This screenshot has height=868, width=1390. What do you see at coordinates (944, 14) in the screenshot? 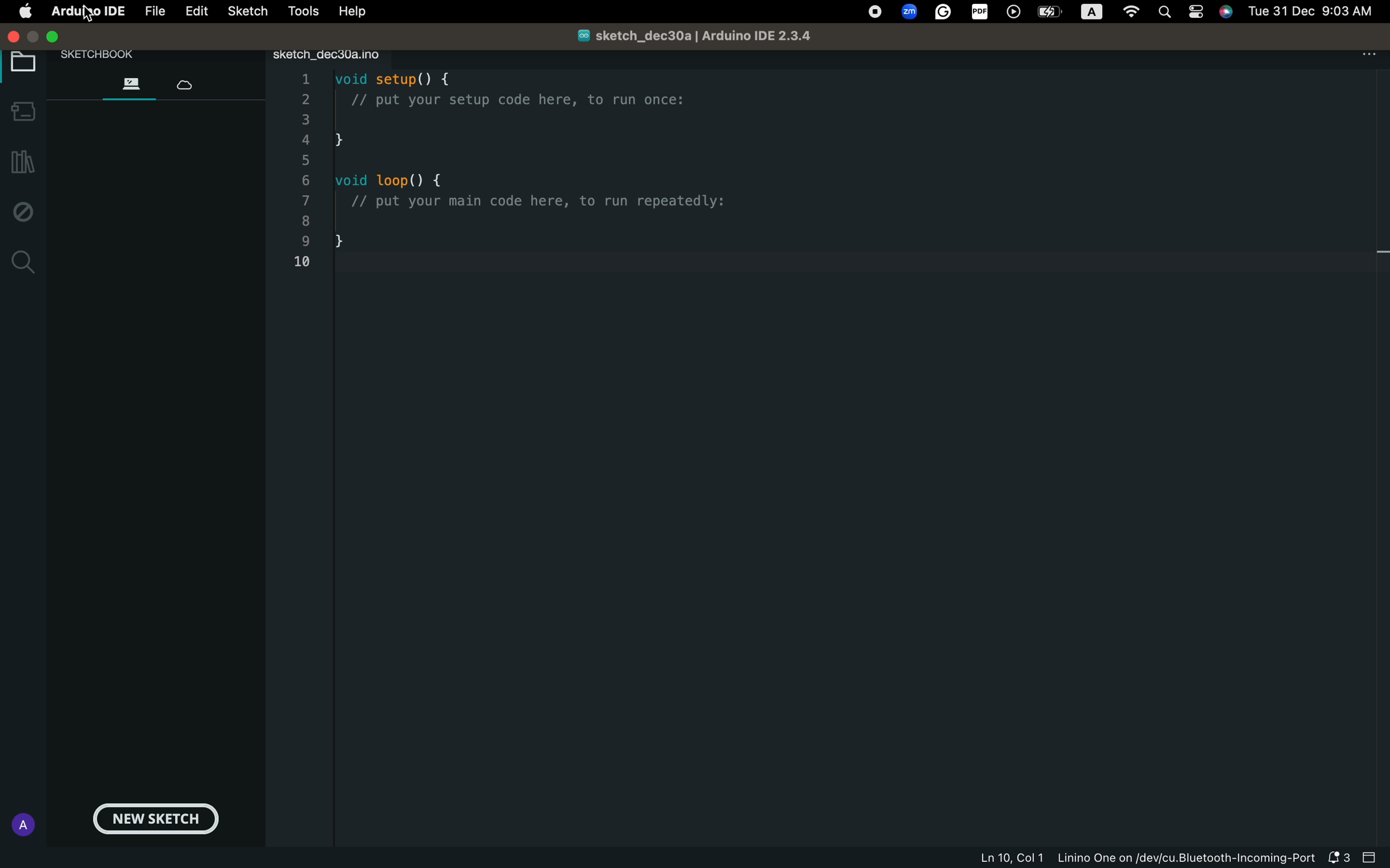
I see `Grammarely` at bounding box center [944, 14].